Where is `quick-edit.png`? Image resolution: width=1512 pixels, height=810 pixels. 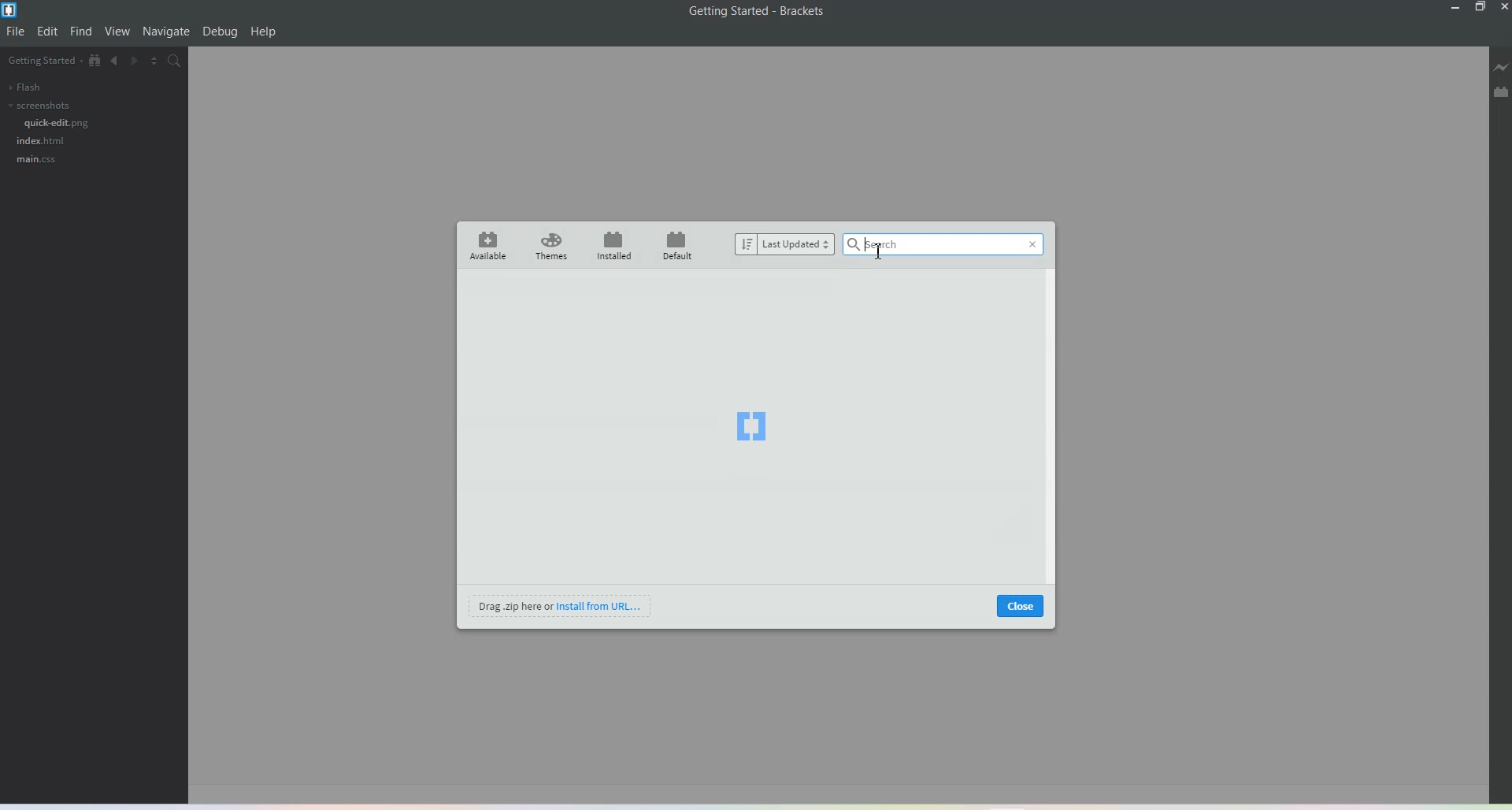
quick-edit.png is located at coordinates (57, 123).